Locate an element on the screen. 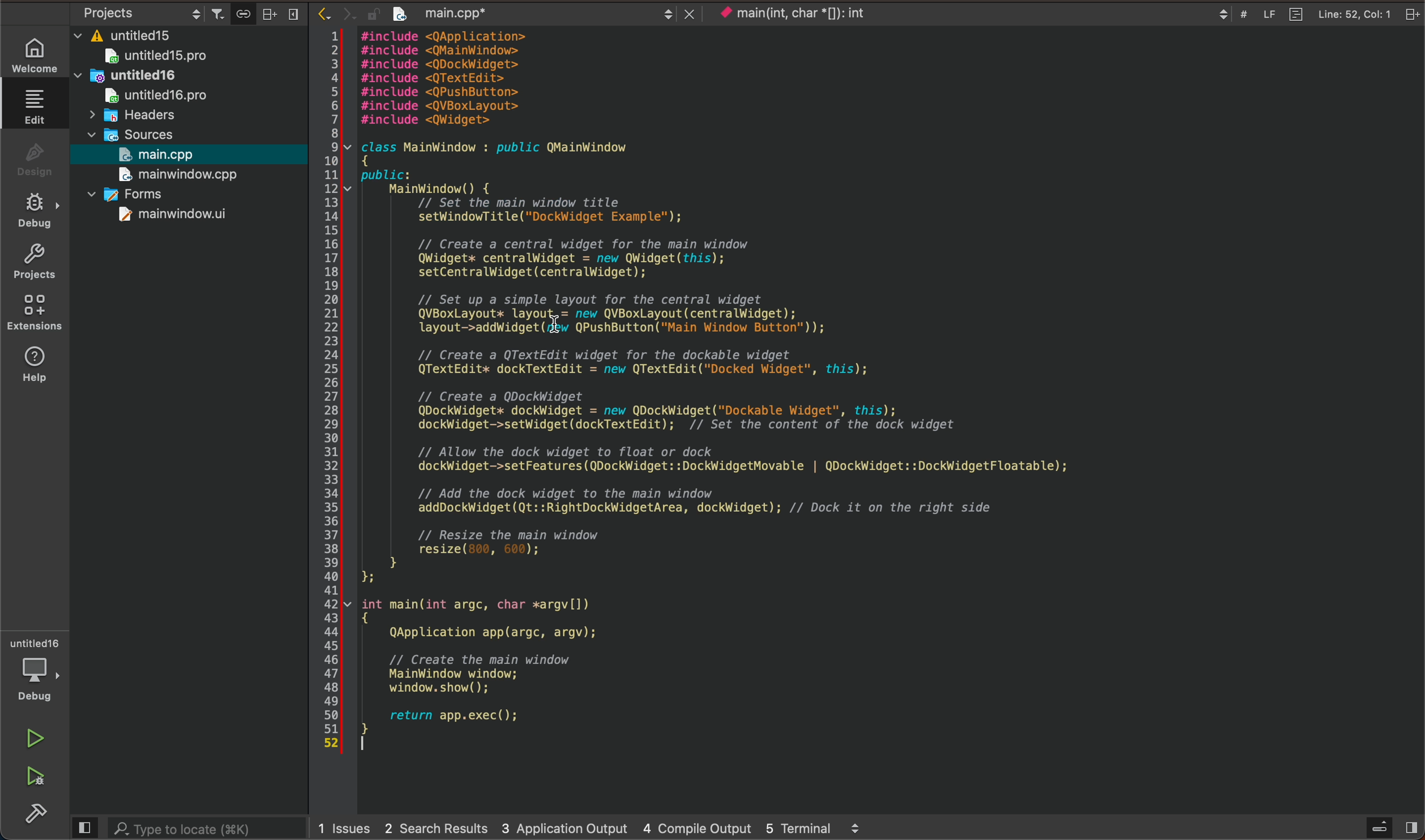 This screenshot has height=840, width=1425. close slidebar is located at coordinates (86, 828).